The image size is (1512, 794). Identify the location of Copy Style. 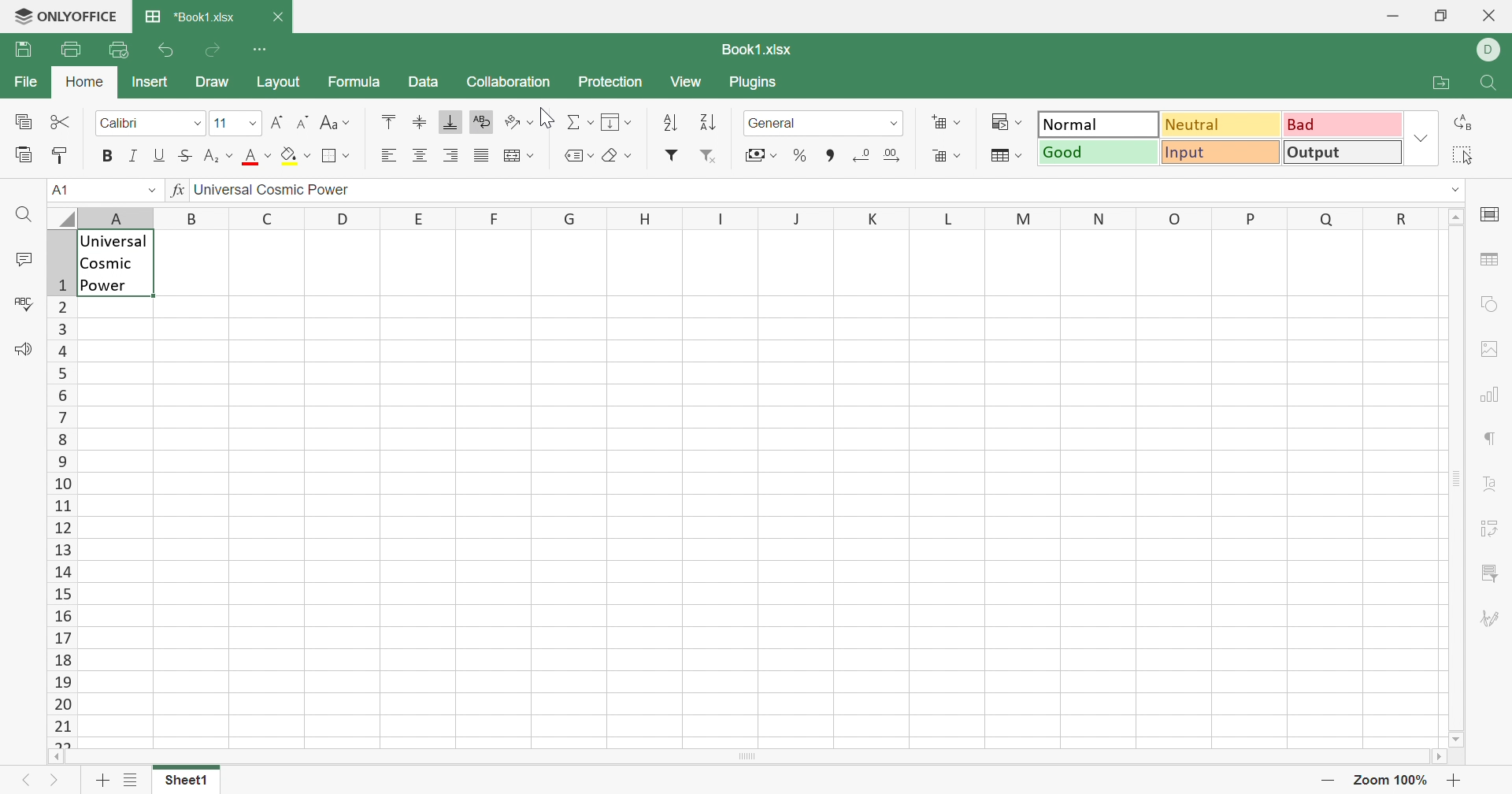
(24, 155).